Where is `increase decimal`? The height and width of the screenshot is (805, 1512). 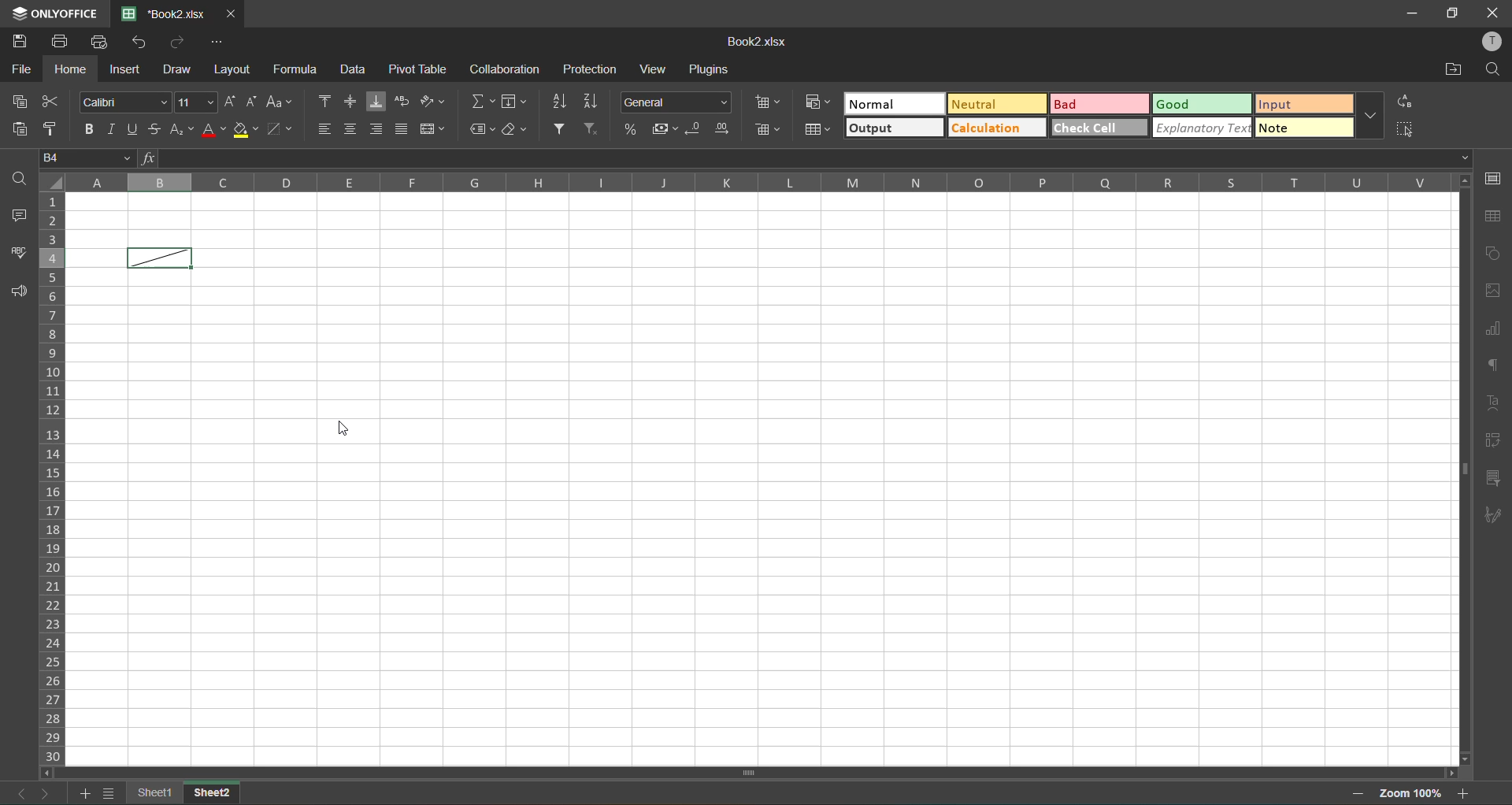 increase decimal is located at coordinates (723, 131).